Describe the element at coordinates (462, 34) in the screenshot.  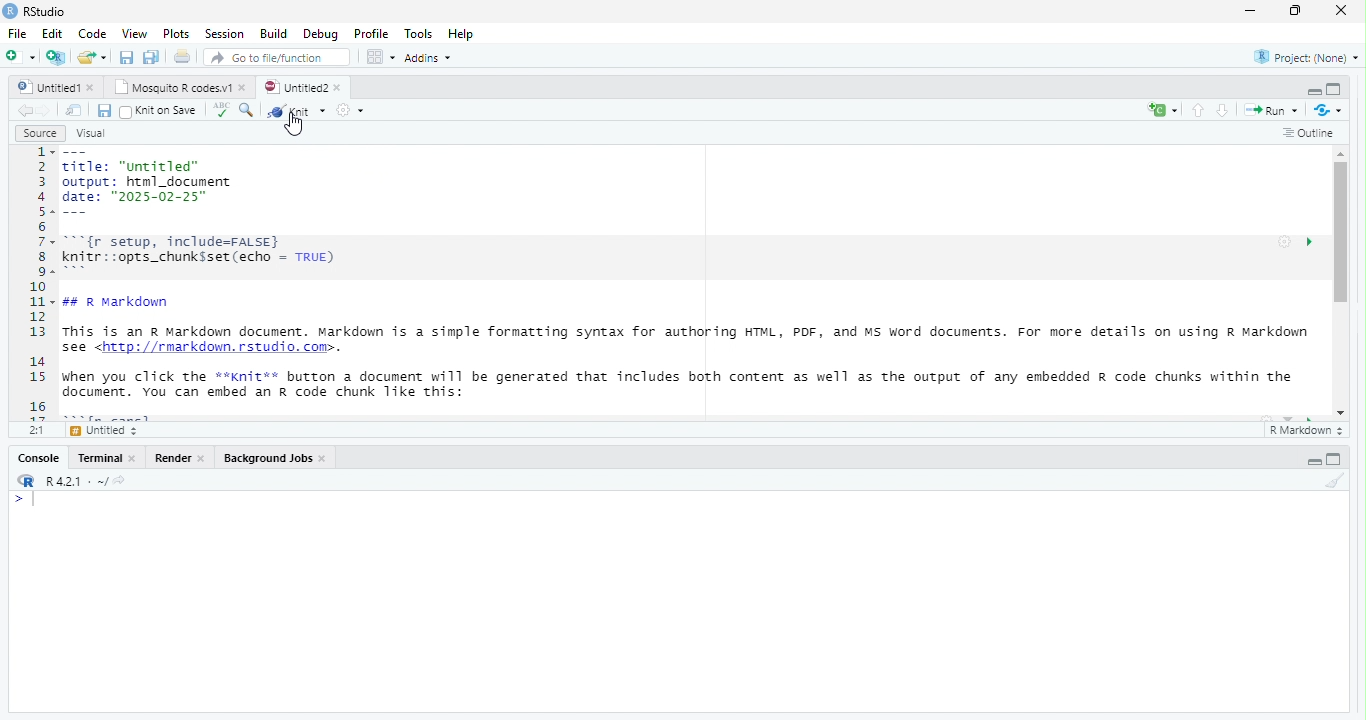
I see `Help` at that location.